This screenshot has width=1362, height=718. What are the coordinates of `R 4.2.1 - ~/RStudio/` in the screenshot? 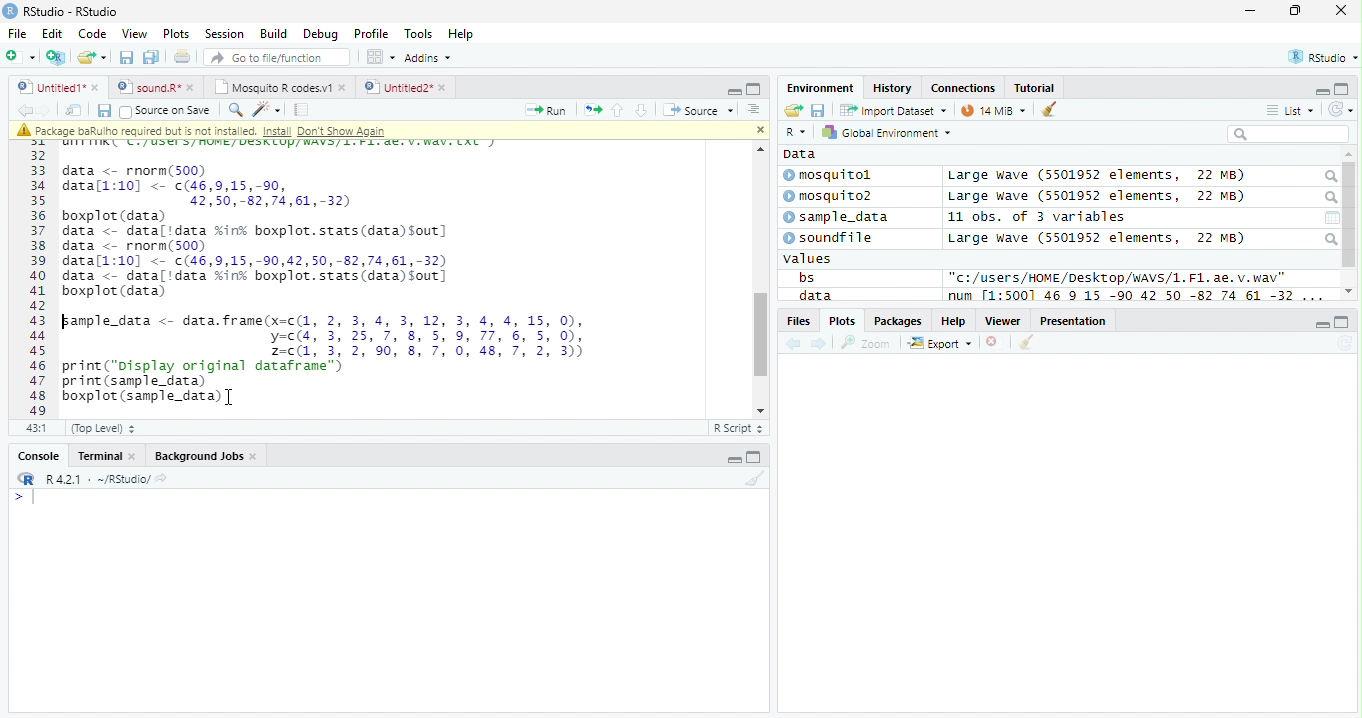 It's located at (98, 481).